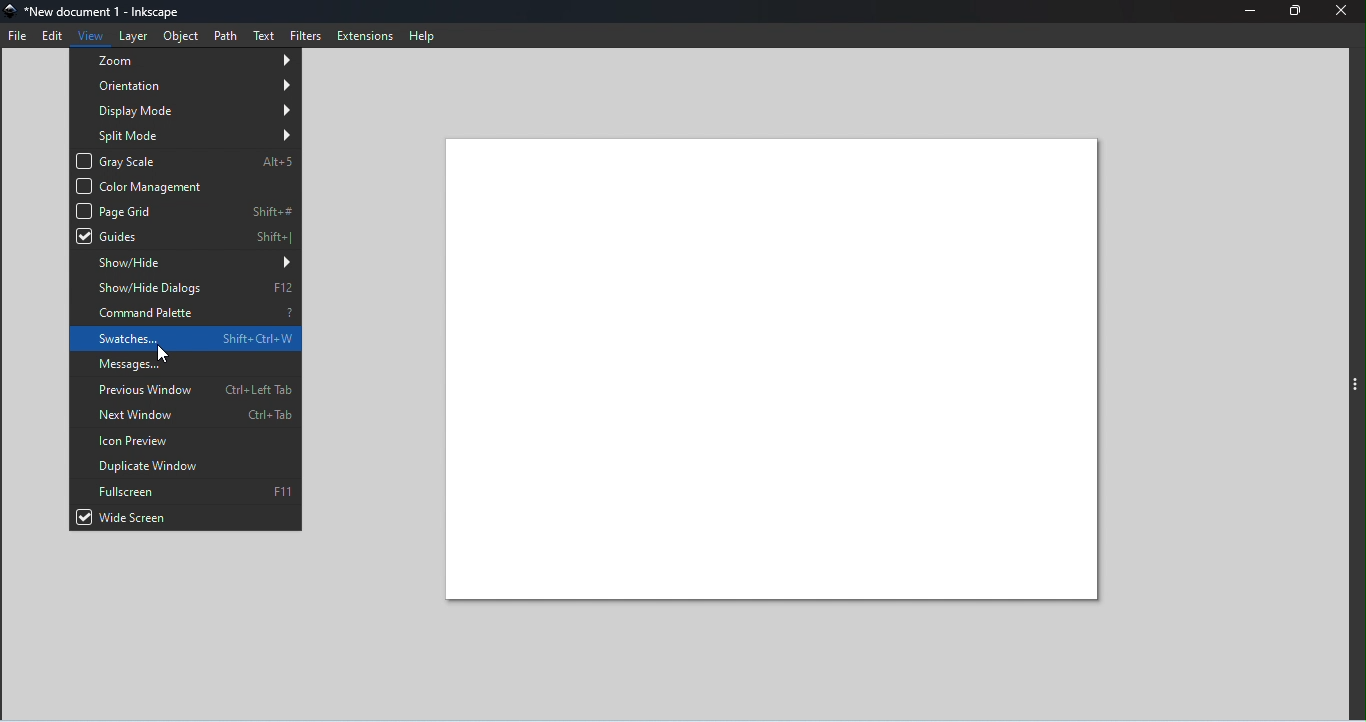 The image size is (1366, 722). What do you see at coordinates (185, 463) in the screenshot?
I see `Duplicate` at bounding box center [185, 463].